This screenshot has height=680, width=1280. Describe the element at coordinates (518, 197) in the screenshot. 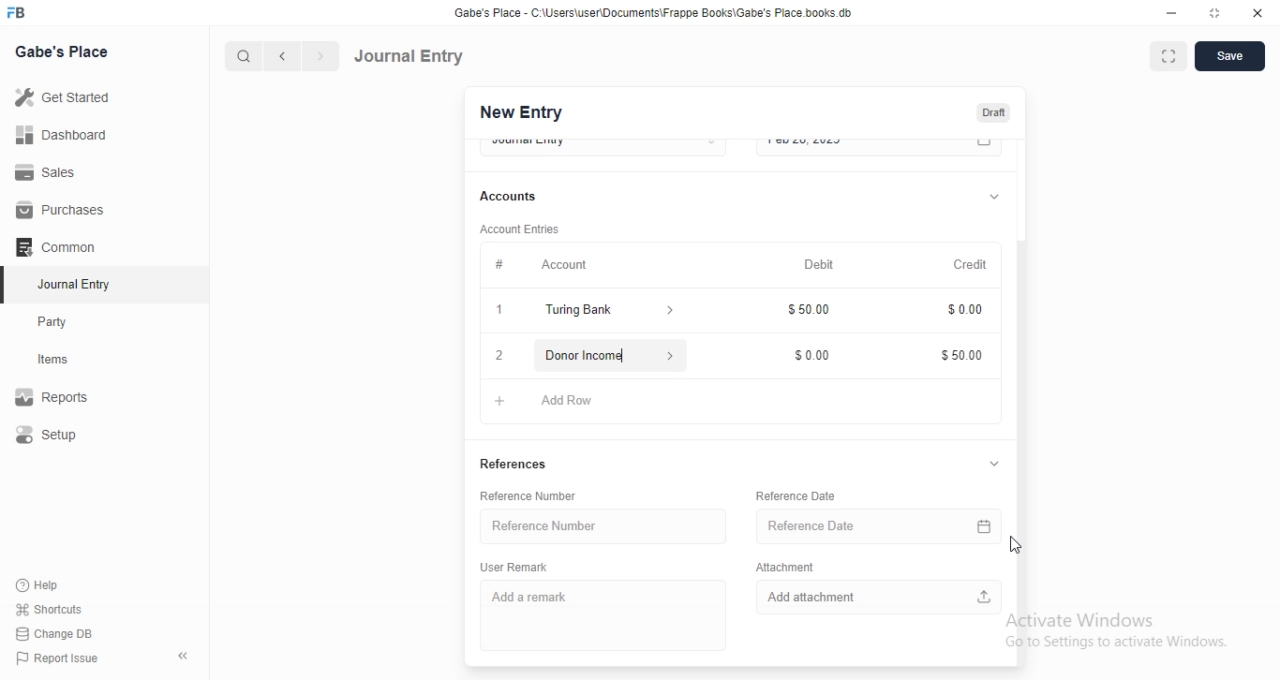

I see `Accounts.` at that location.